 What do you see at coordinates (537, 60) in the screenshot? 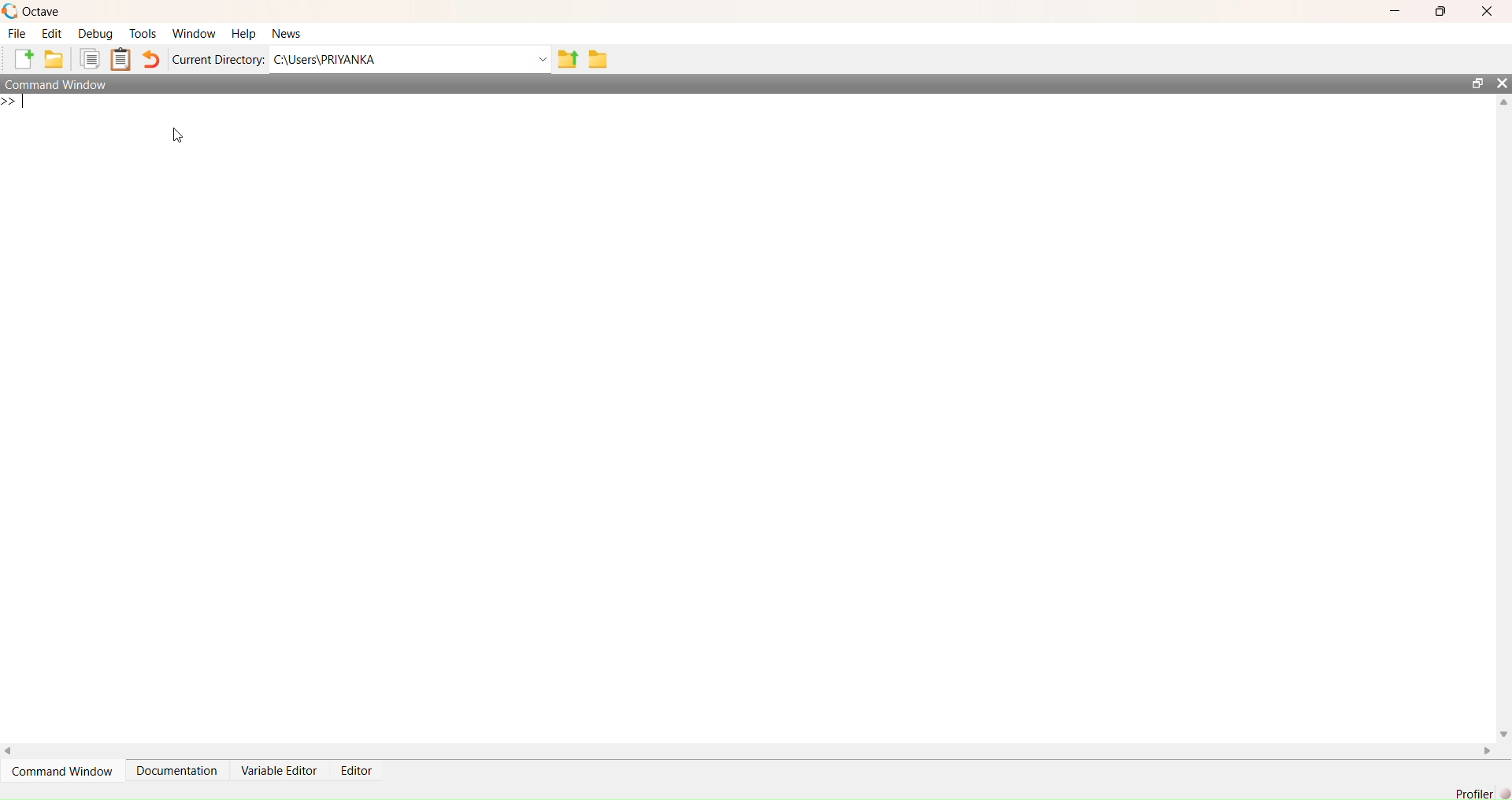
I see `dropdown` at bounding box center [537, 60].